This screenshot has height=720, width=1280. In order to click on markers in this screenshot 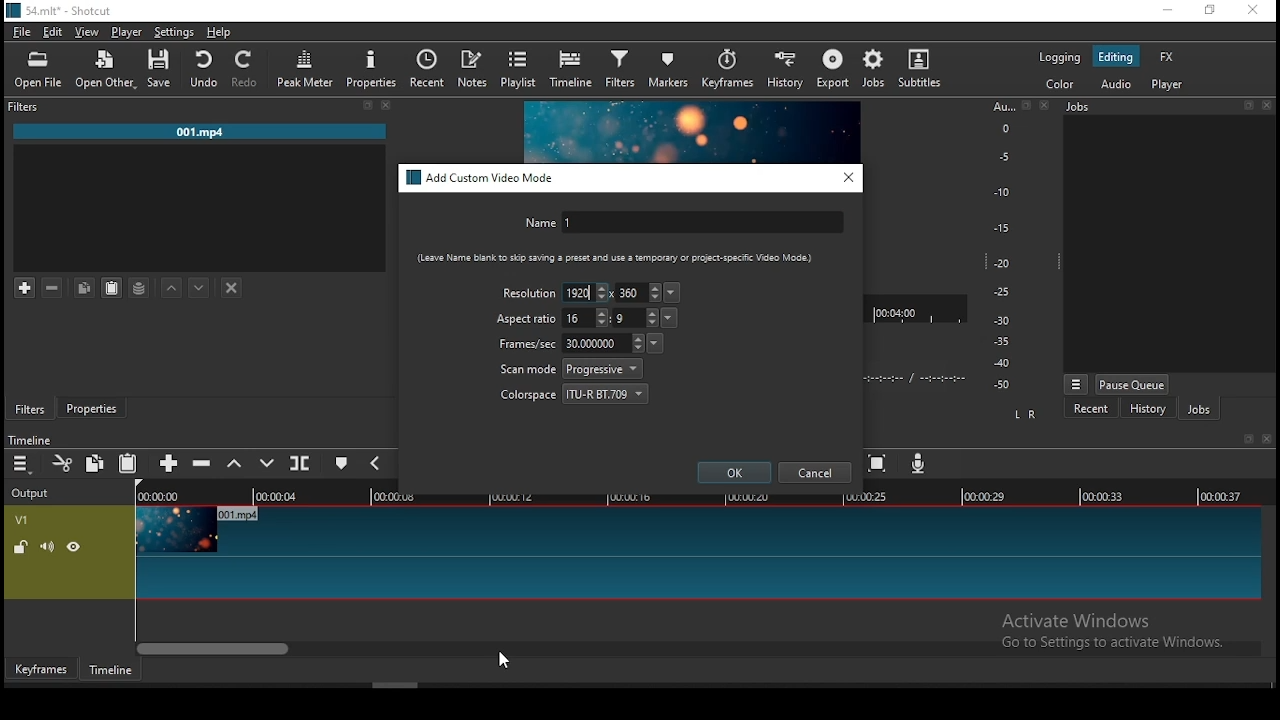, I will do `click(670, 67)`.